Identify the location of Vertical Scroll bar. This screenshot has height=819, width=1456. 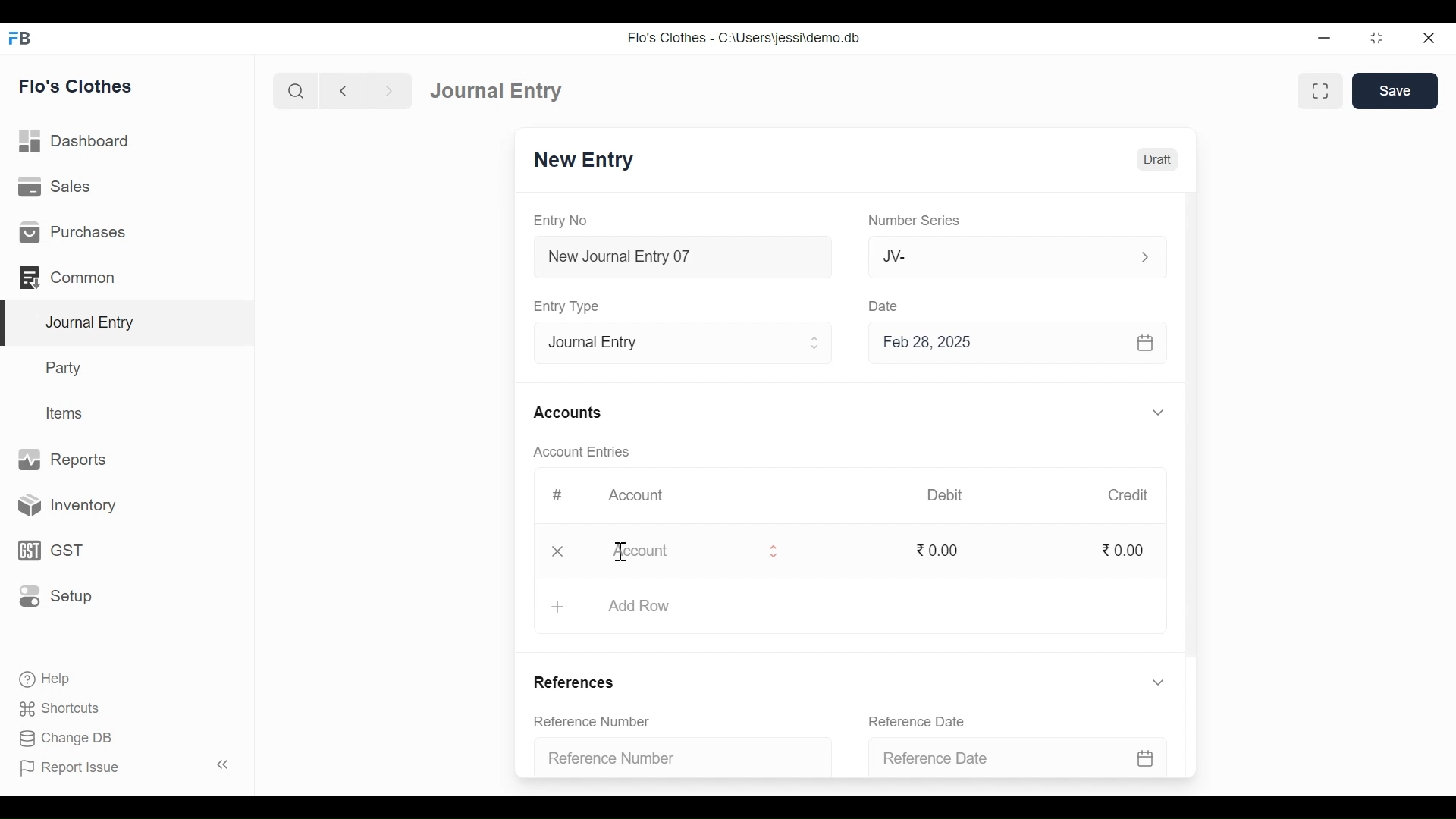
(1193, 428).